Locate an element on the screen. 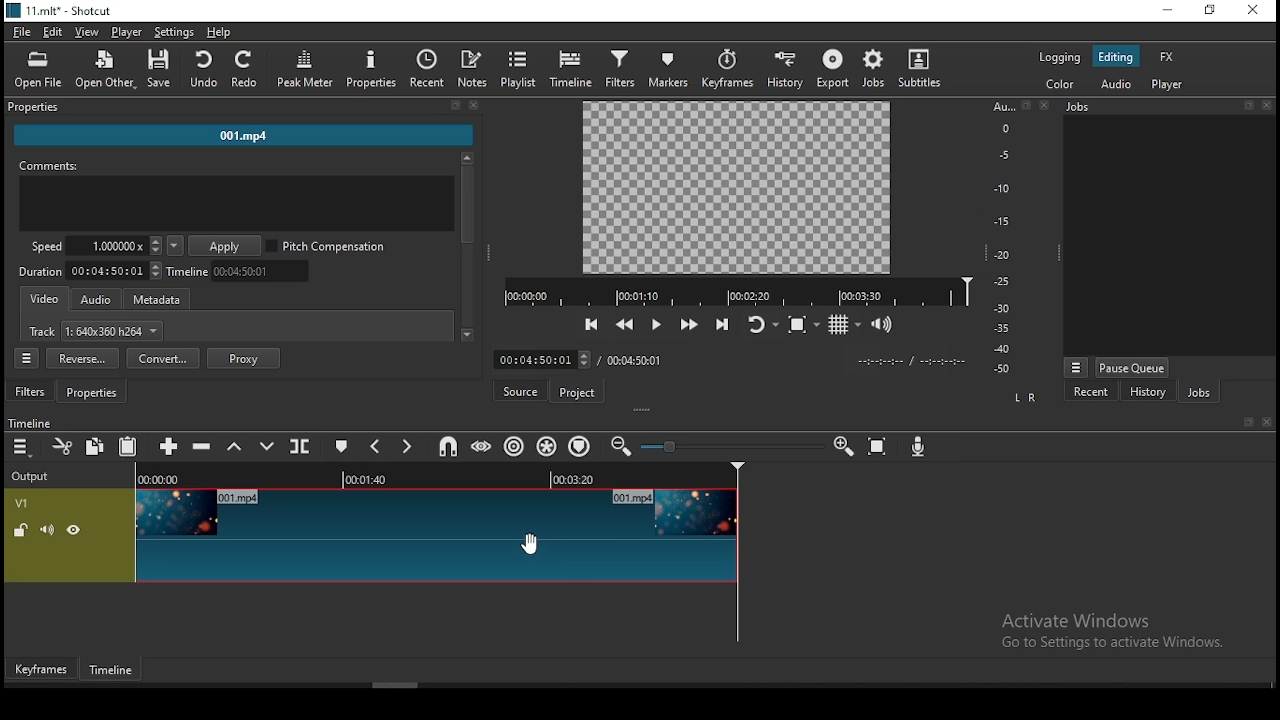 Image resolution: width=1280 pixels, height=720 pixels. file is located at coordinates (21, 31).